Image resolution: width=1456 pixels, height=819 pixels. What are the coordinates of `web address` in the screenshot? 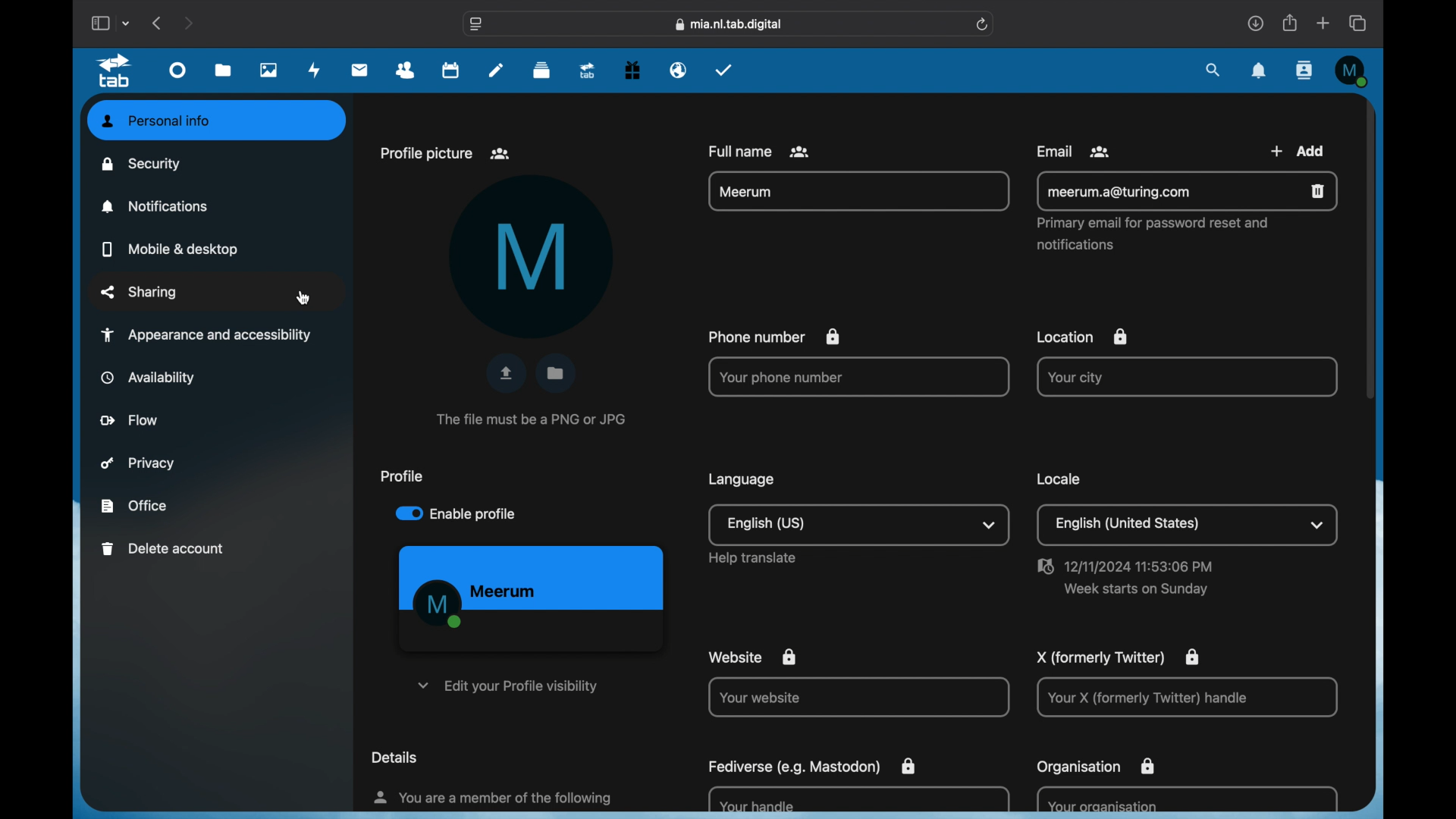 It's located at (731, 24).